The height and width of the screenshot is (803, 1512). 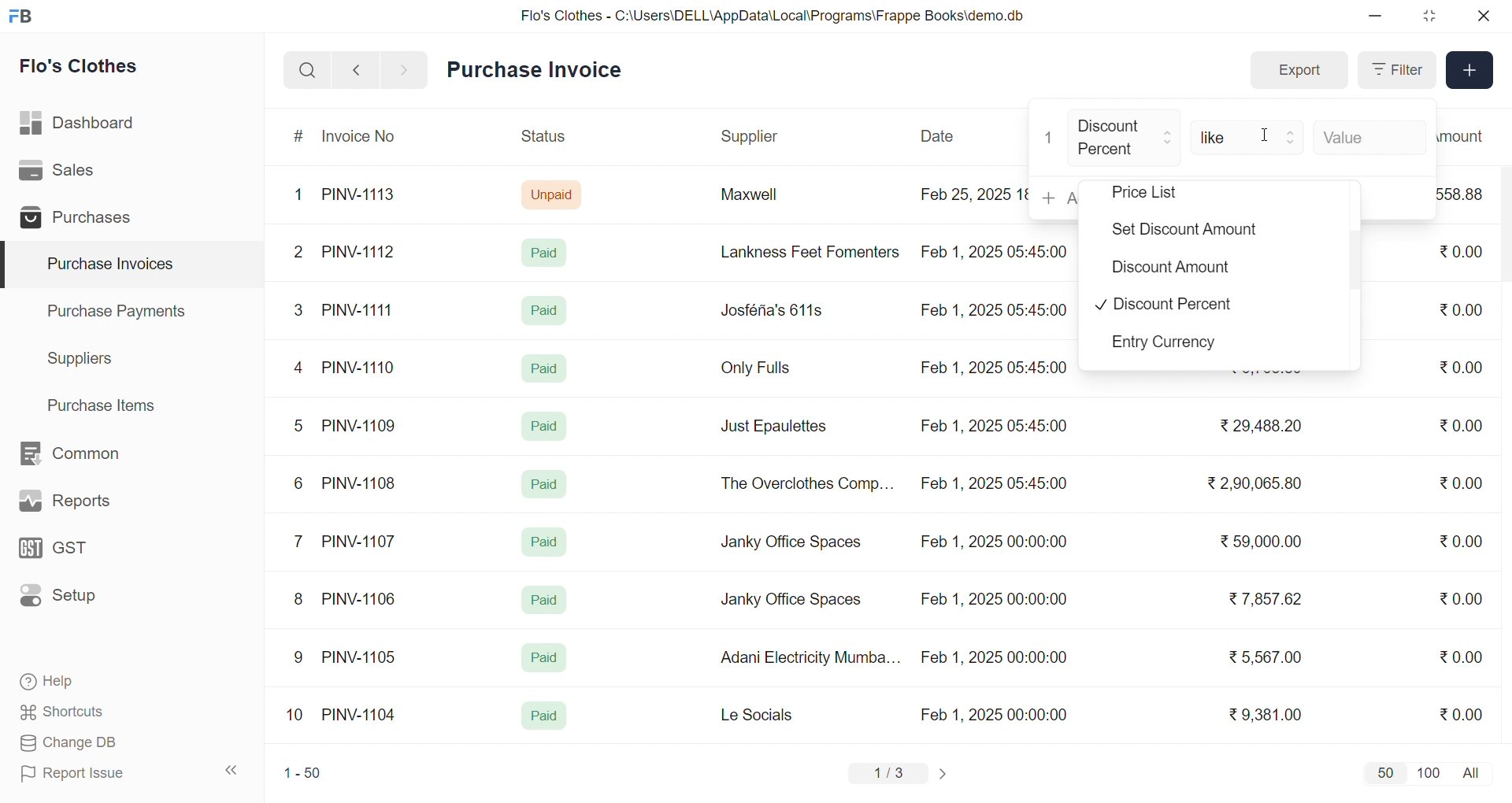 I want to click on Discount Amount, so click(x=1164, y=265).